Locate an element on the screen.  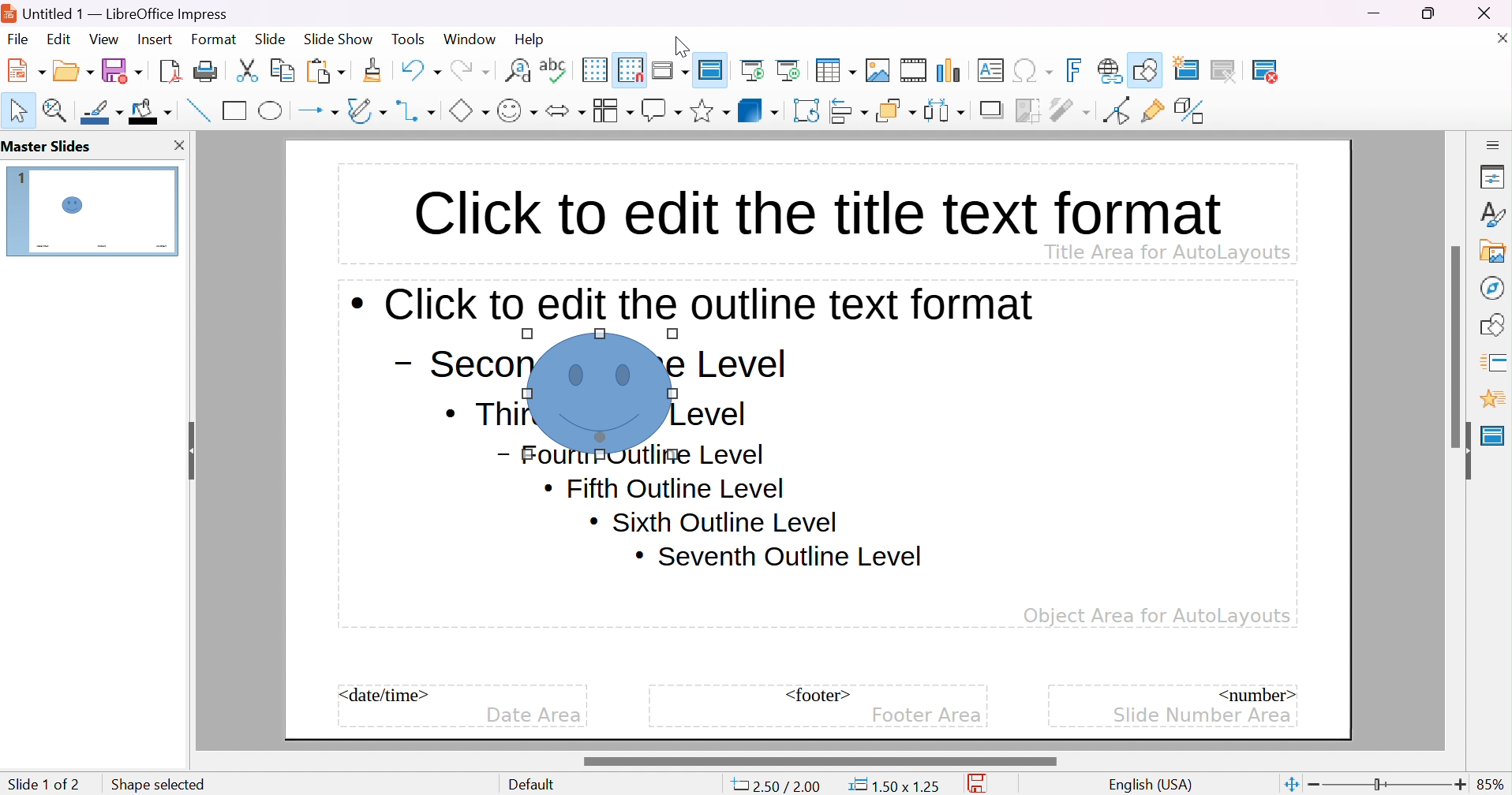
Shape selected is located at coordinates (155, 782).